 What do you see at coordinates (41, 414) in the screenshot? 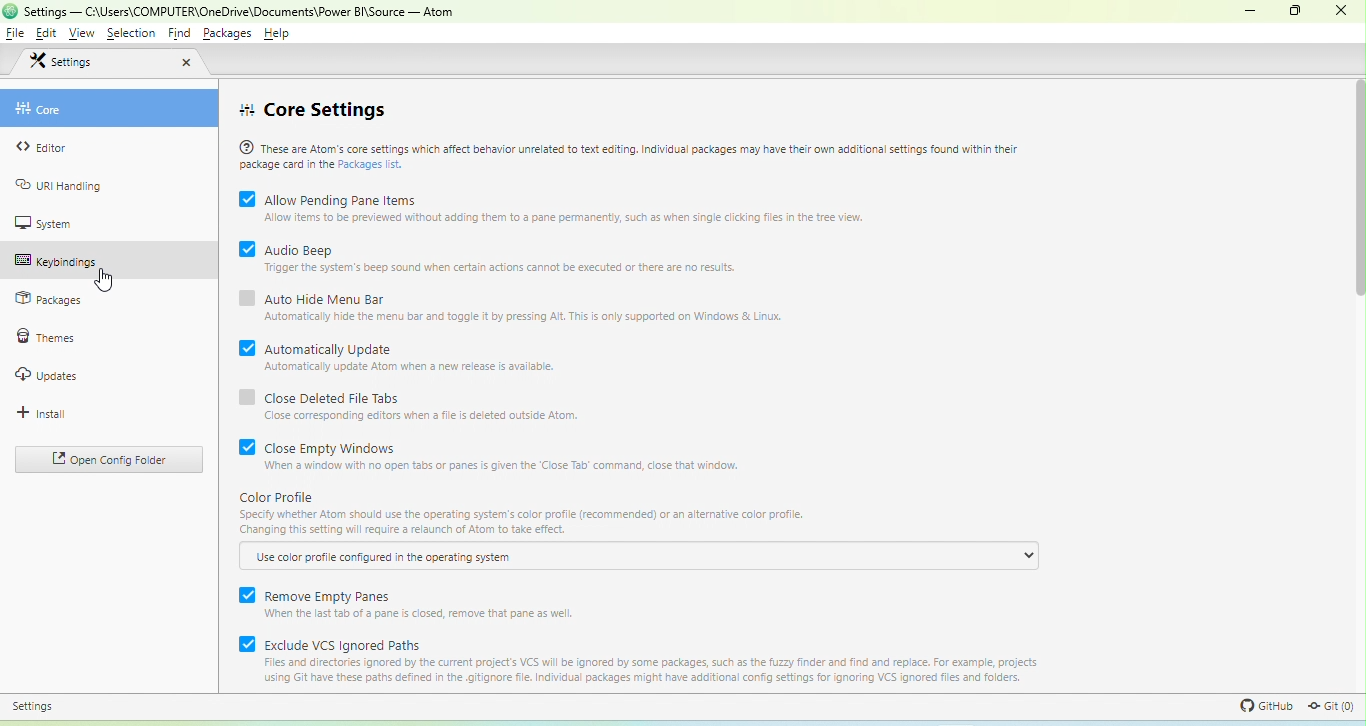
I see `install` at bounding box center [41, 414].